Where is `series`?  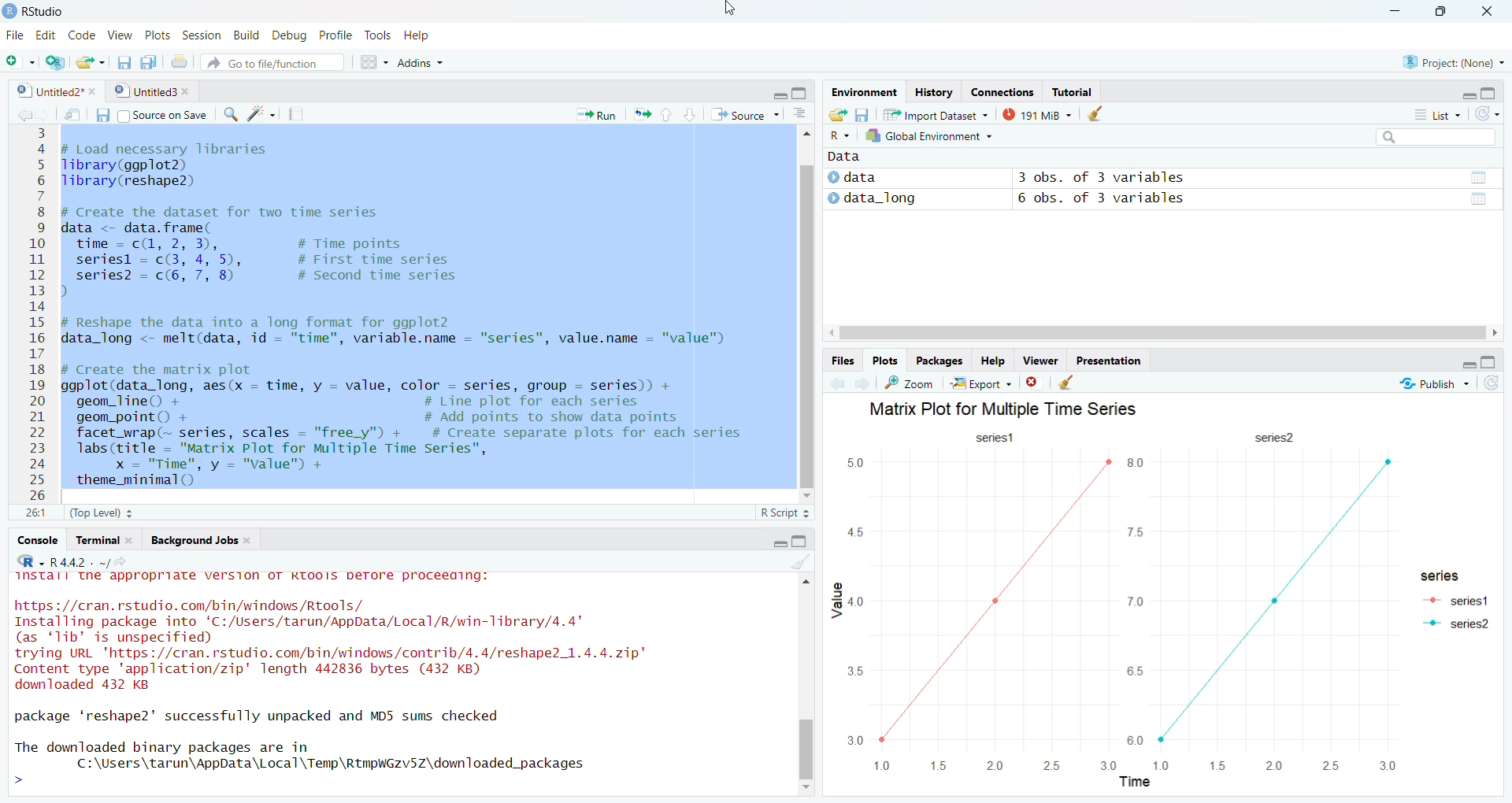
series is located at coordinates (1273, 438).